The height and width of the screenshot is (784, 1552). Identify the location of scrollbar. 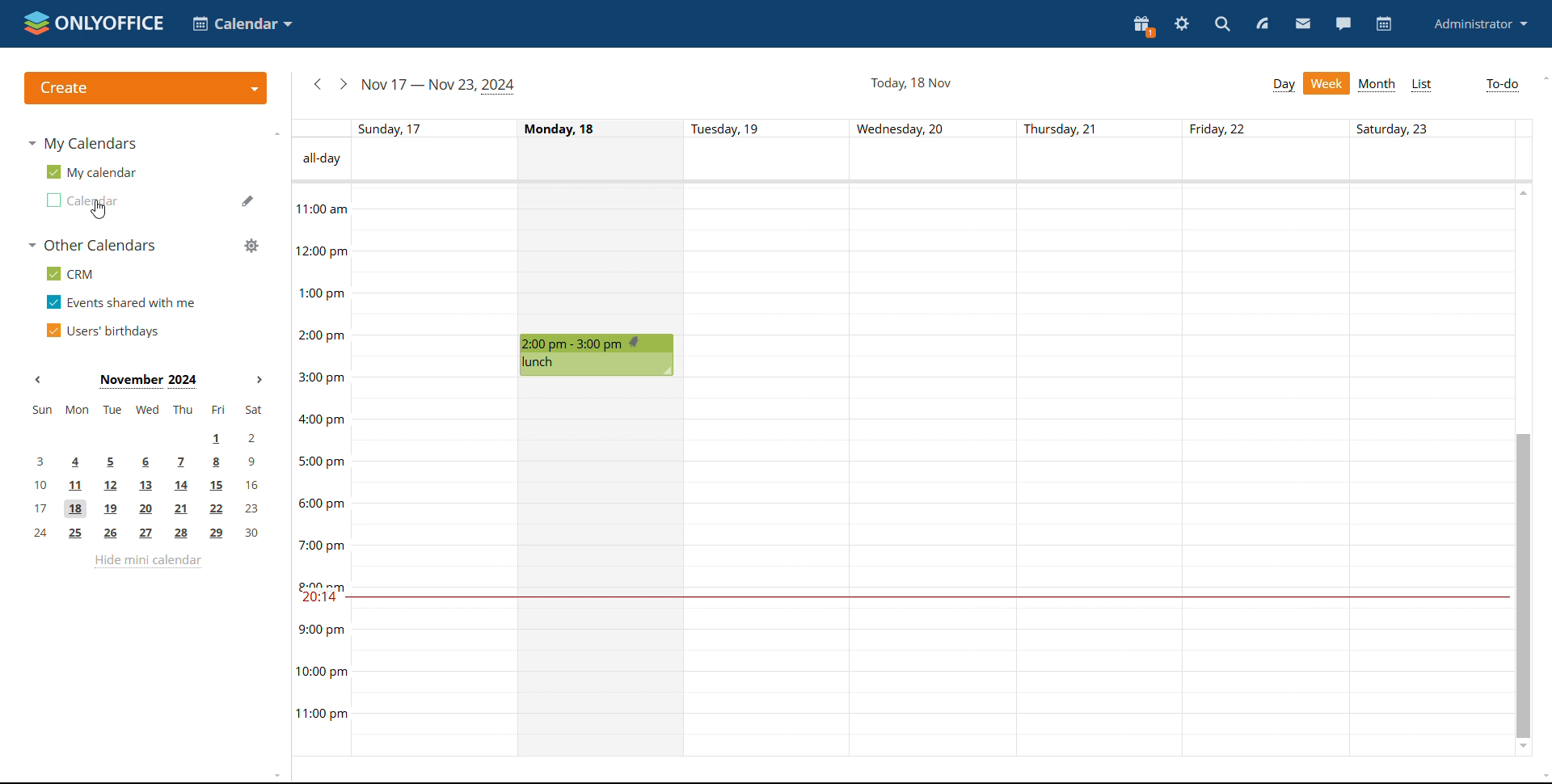
(1522, 586).